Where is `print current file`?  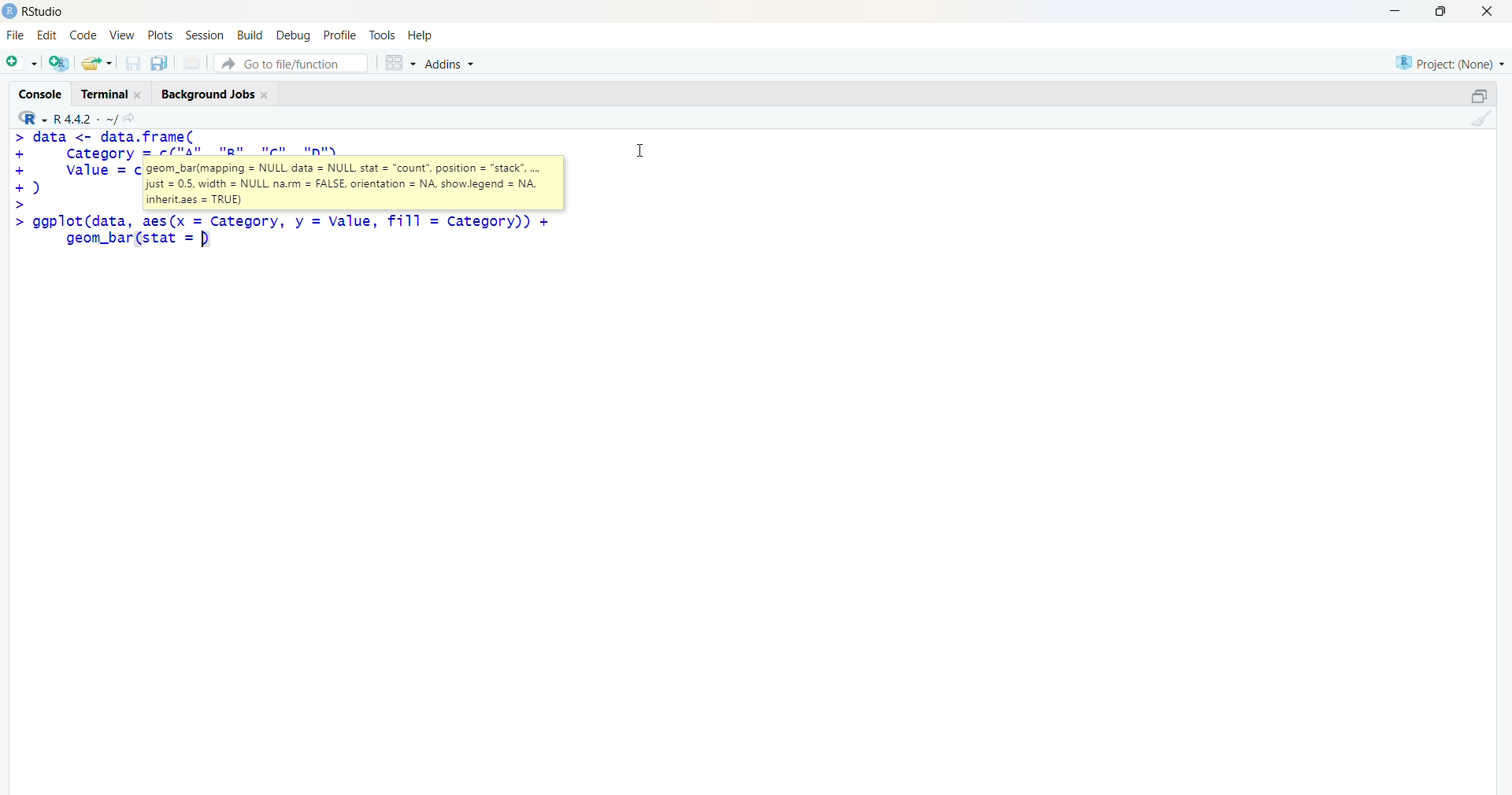
print current file is located at coordinates (190, 62).